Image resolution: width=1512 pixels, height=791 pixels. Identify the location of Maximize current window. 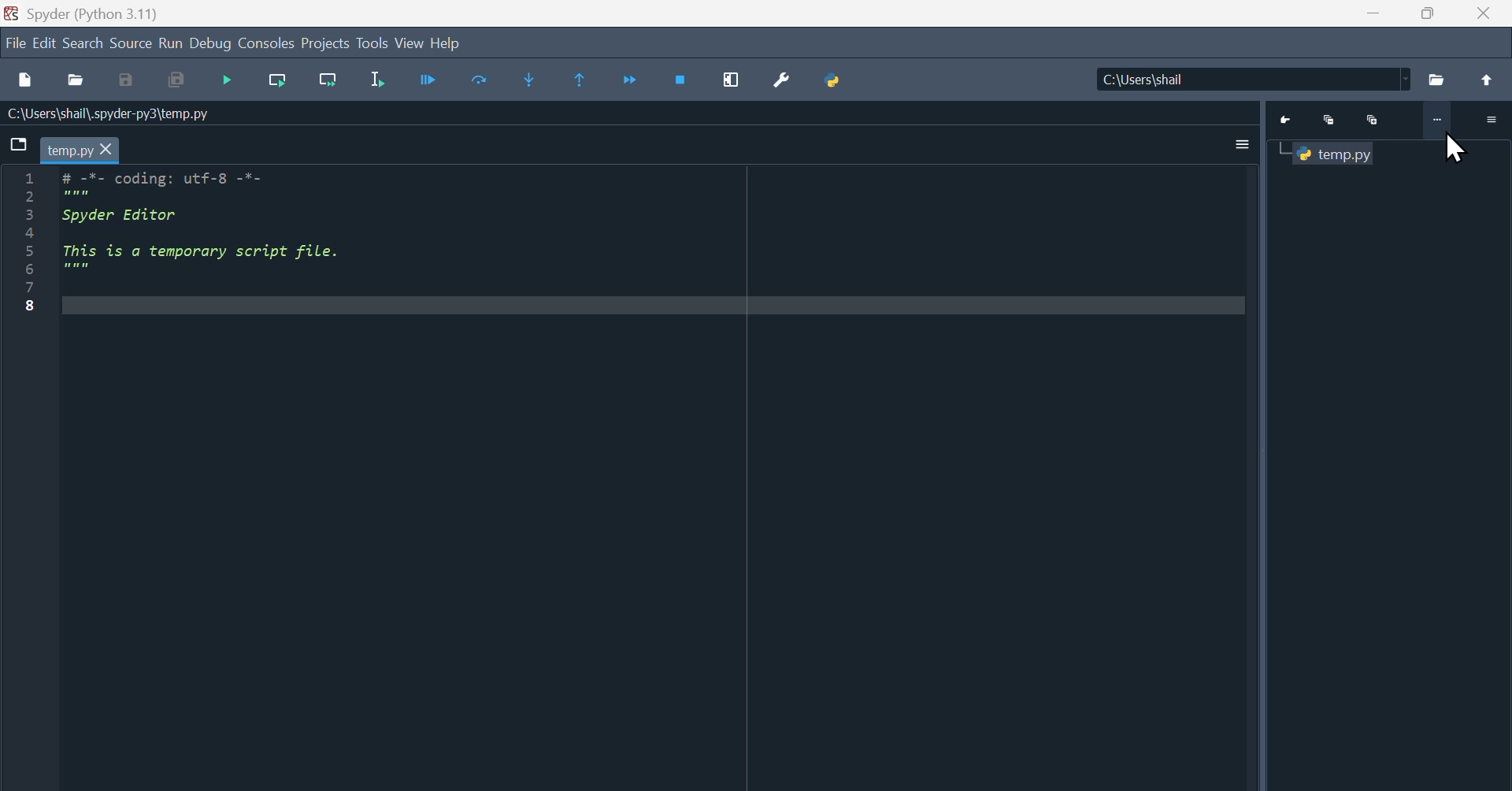
(732, 80).